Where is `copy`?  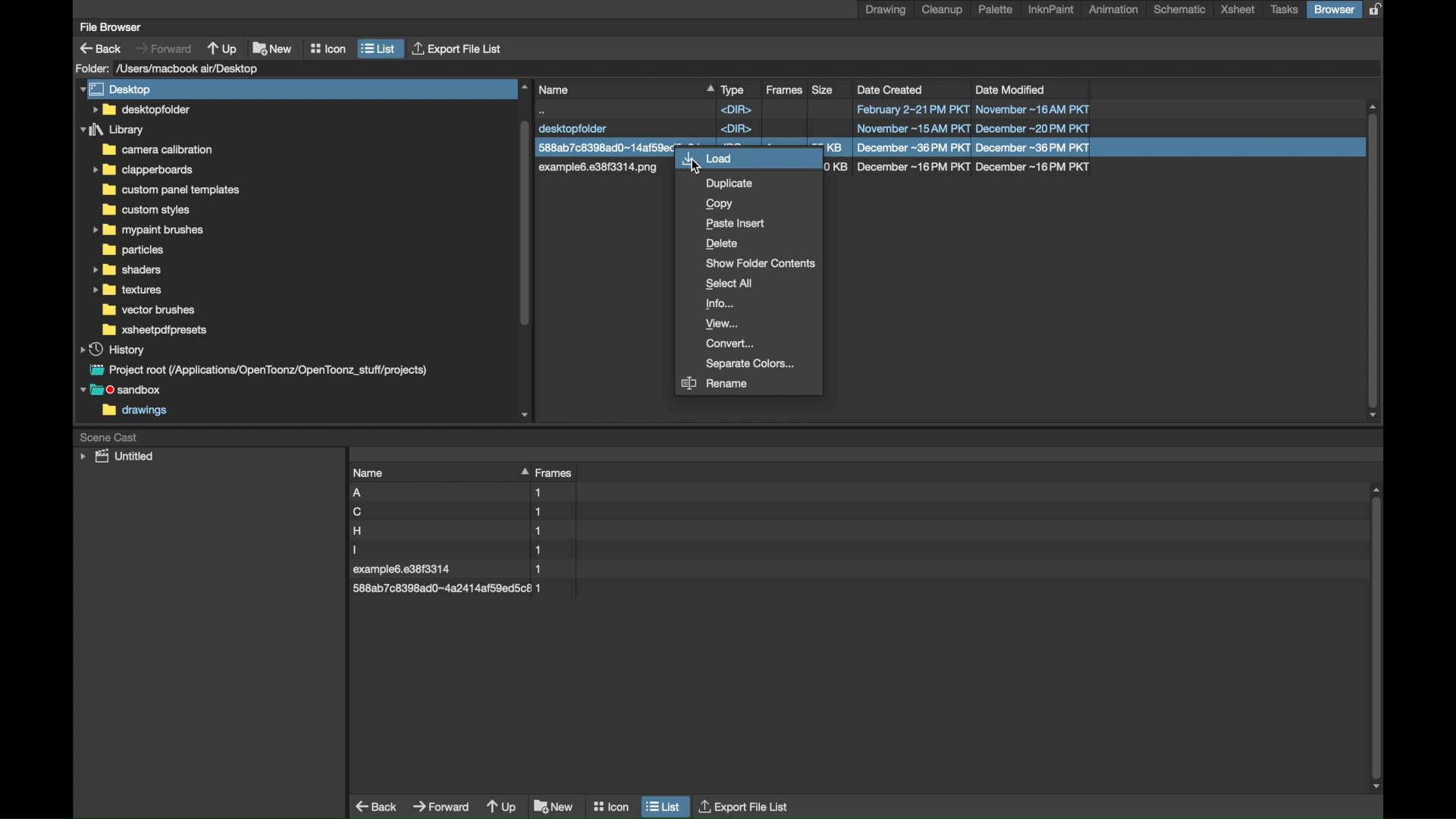
copy is located at coordinates (720, 204).